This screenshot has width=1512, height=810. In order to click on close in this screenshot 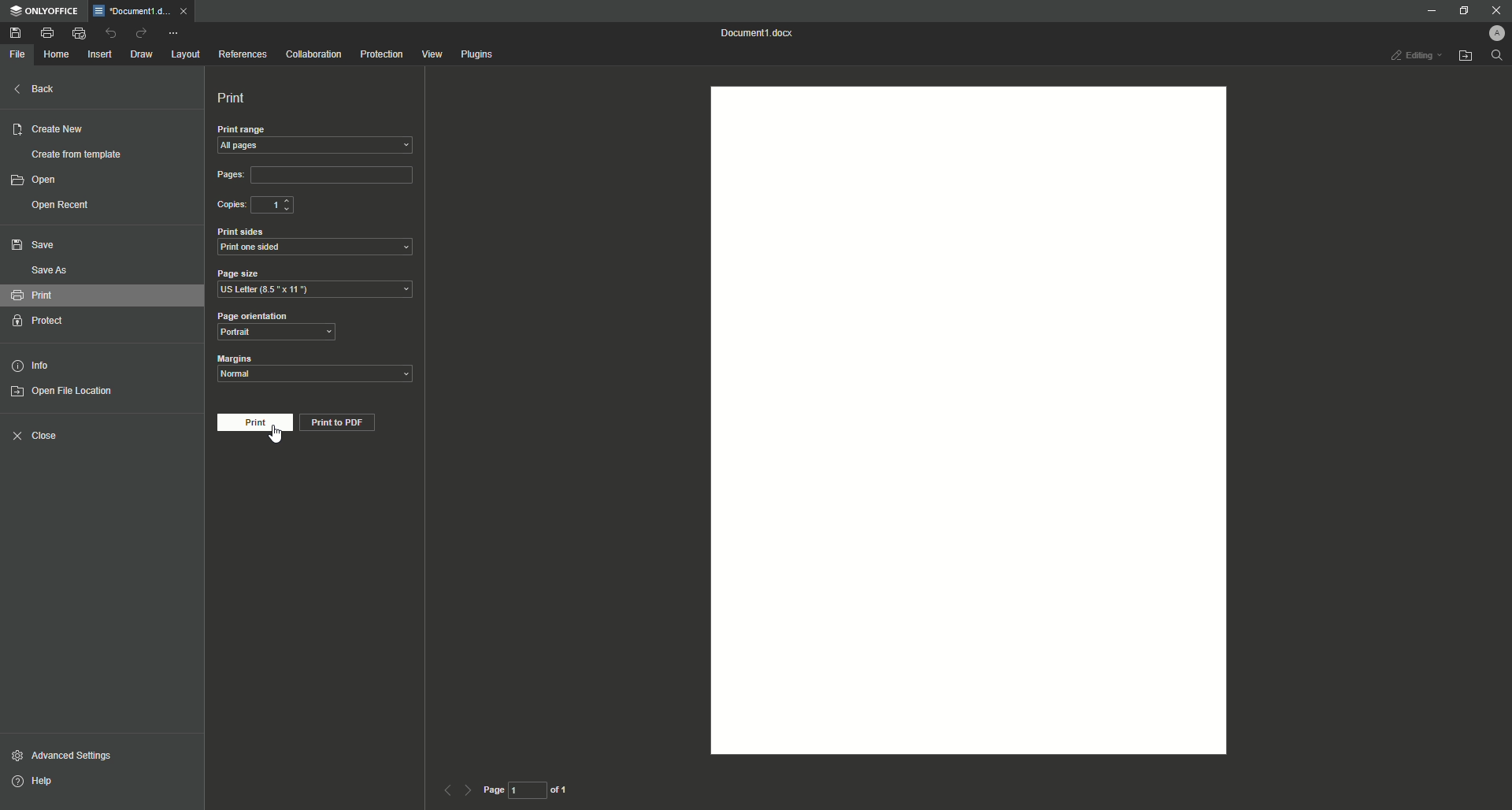, I will do `click(182, 10)`.